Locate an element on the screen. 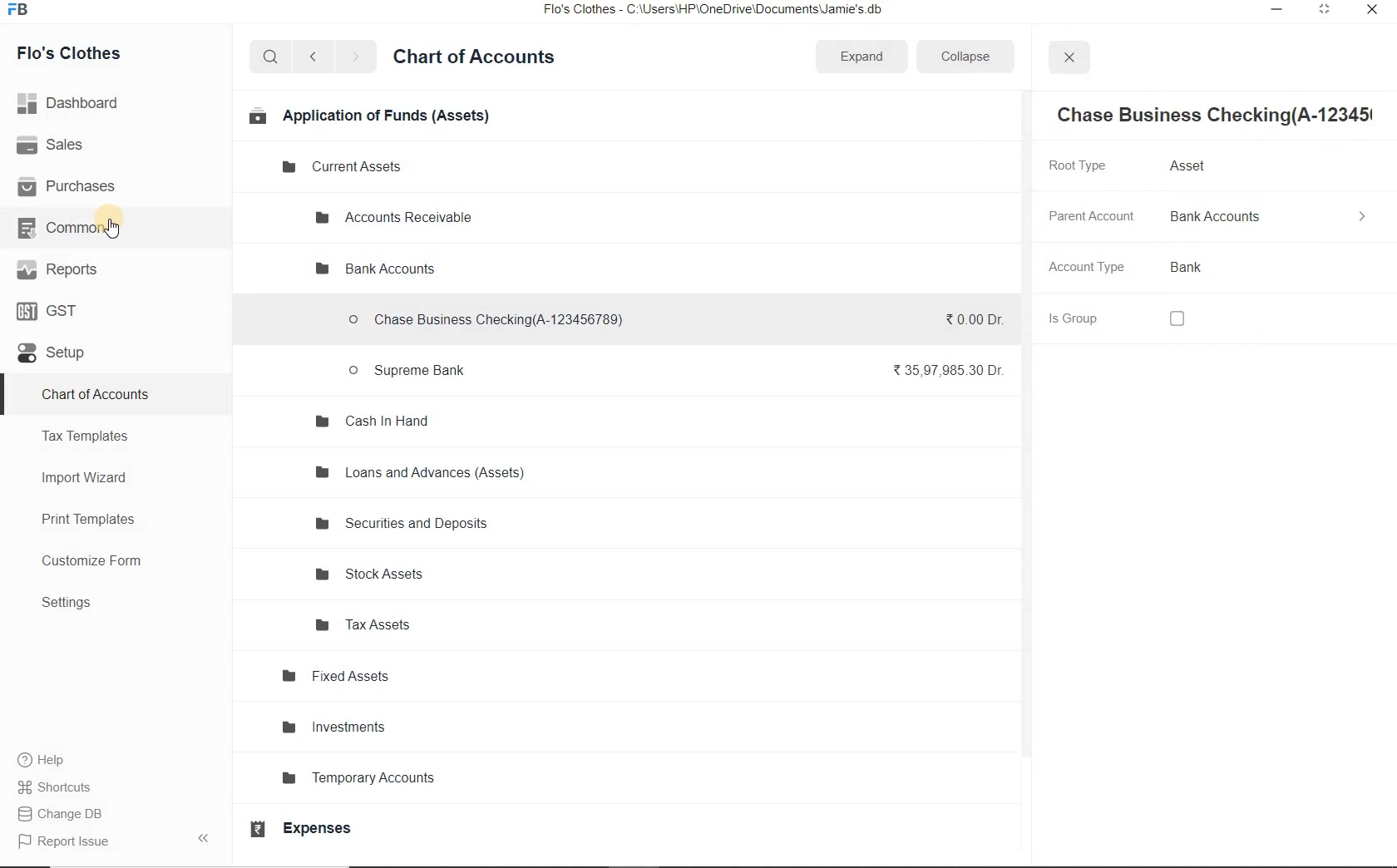  Root Type is located at coordinates (1080, 165).